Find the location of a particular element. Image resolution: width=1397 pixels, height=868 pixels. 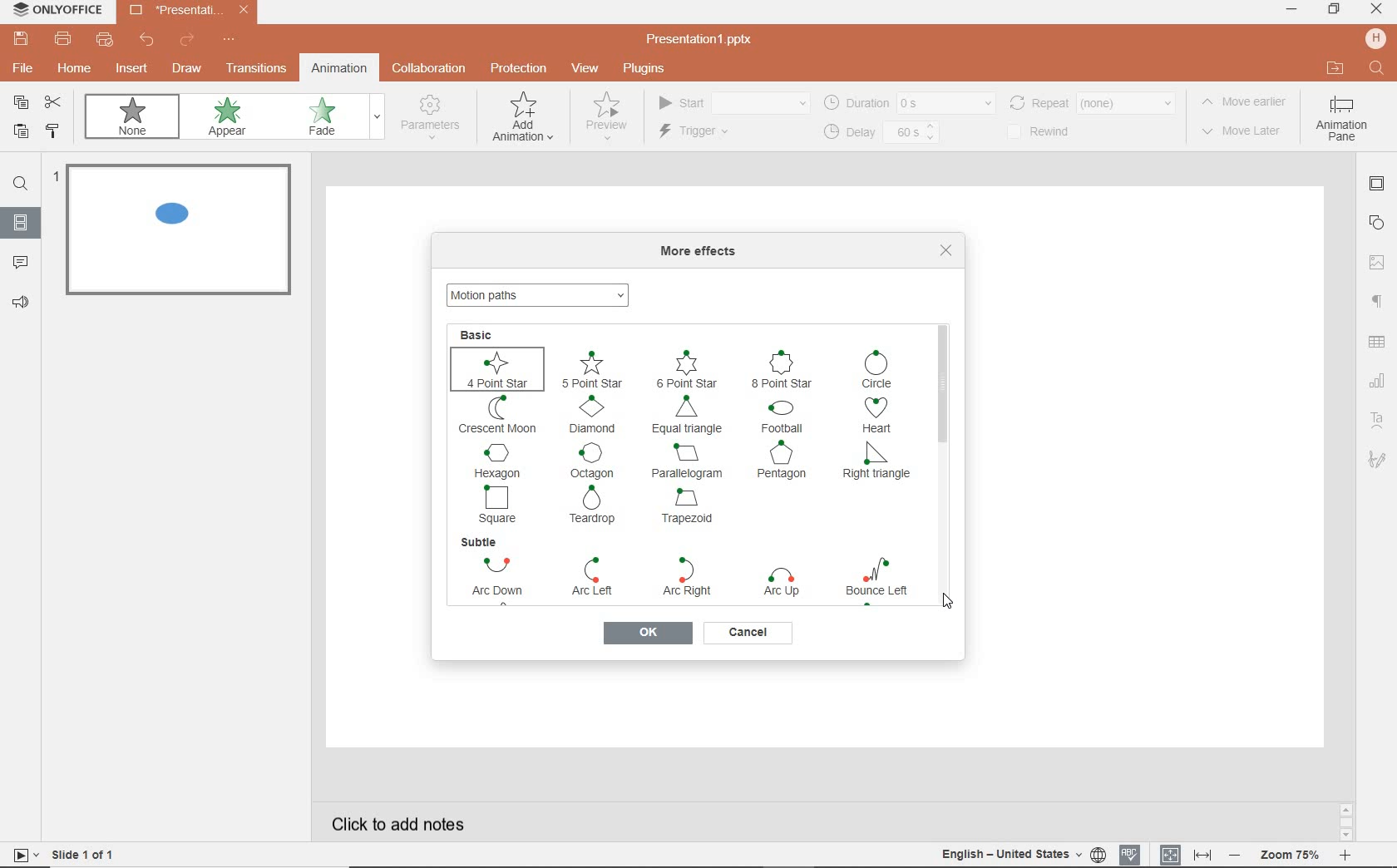

OCTAGON is located at coordinates (595, 461).